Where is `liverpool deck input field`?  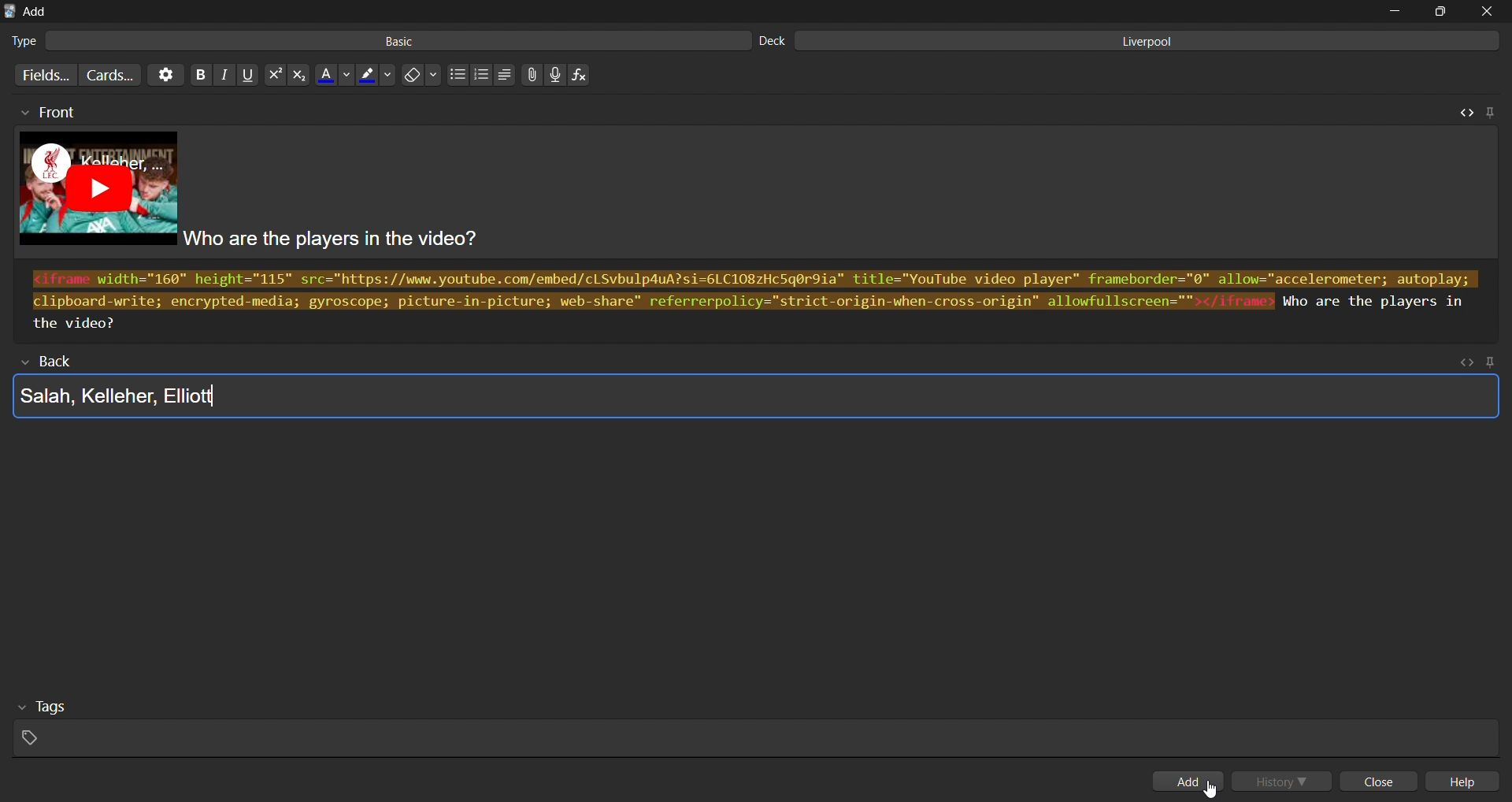 liverpool deck input field is located at coordinates (1132, 41).